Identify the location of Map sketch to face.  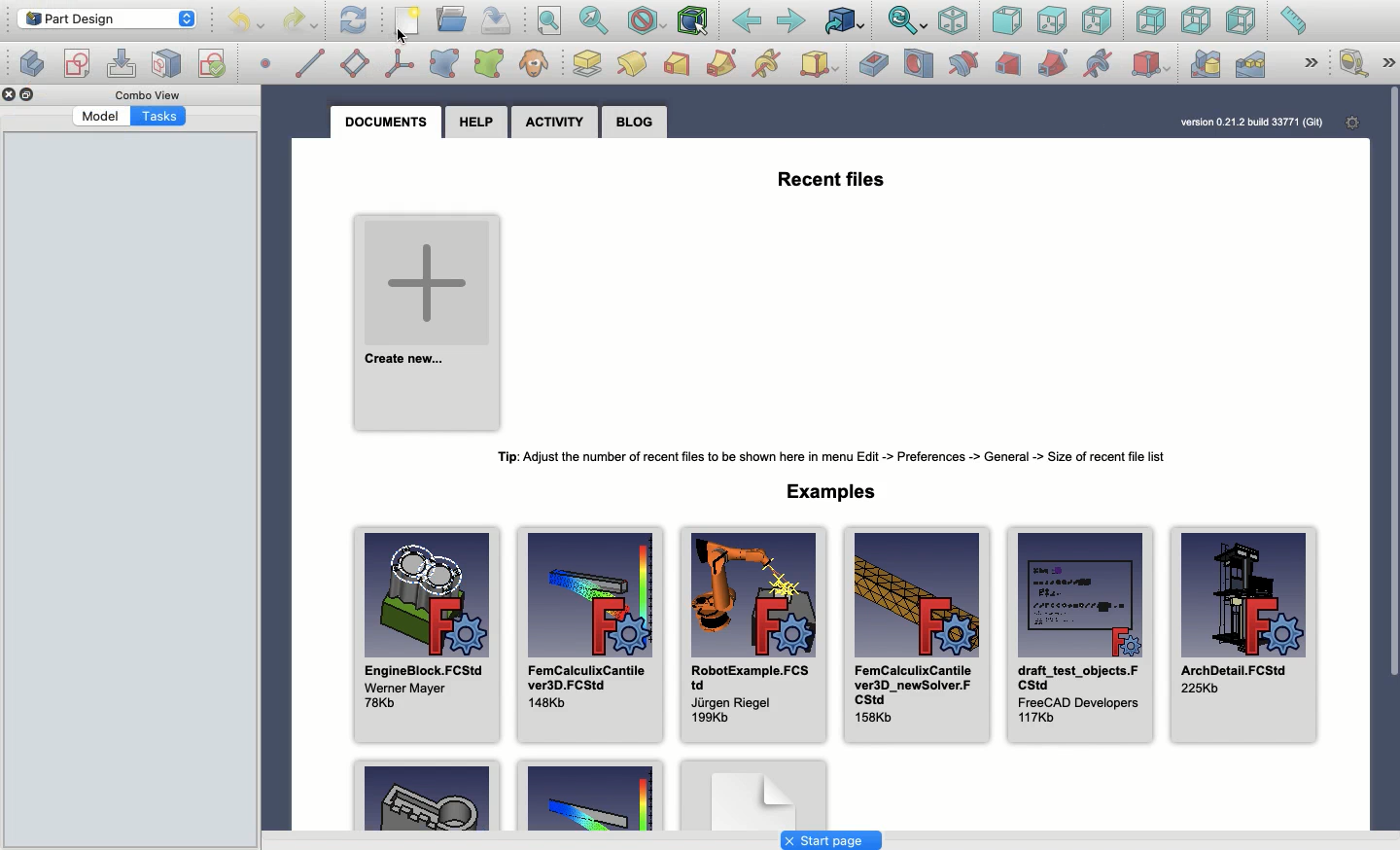
(167, 64).